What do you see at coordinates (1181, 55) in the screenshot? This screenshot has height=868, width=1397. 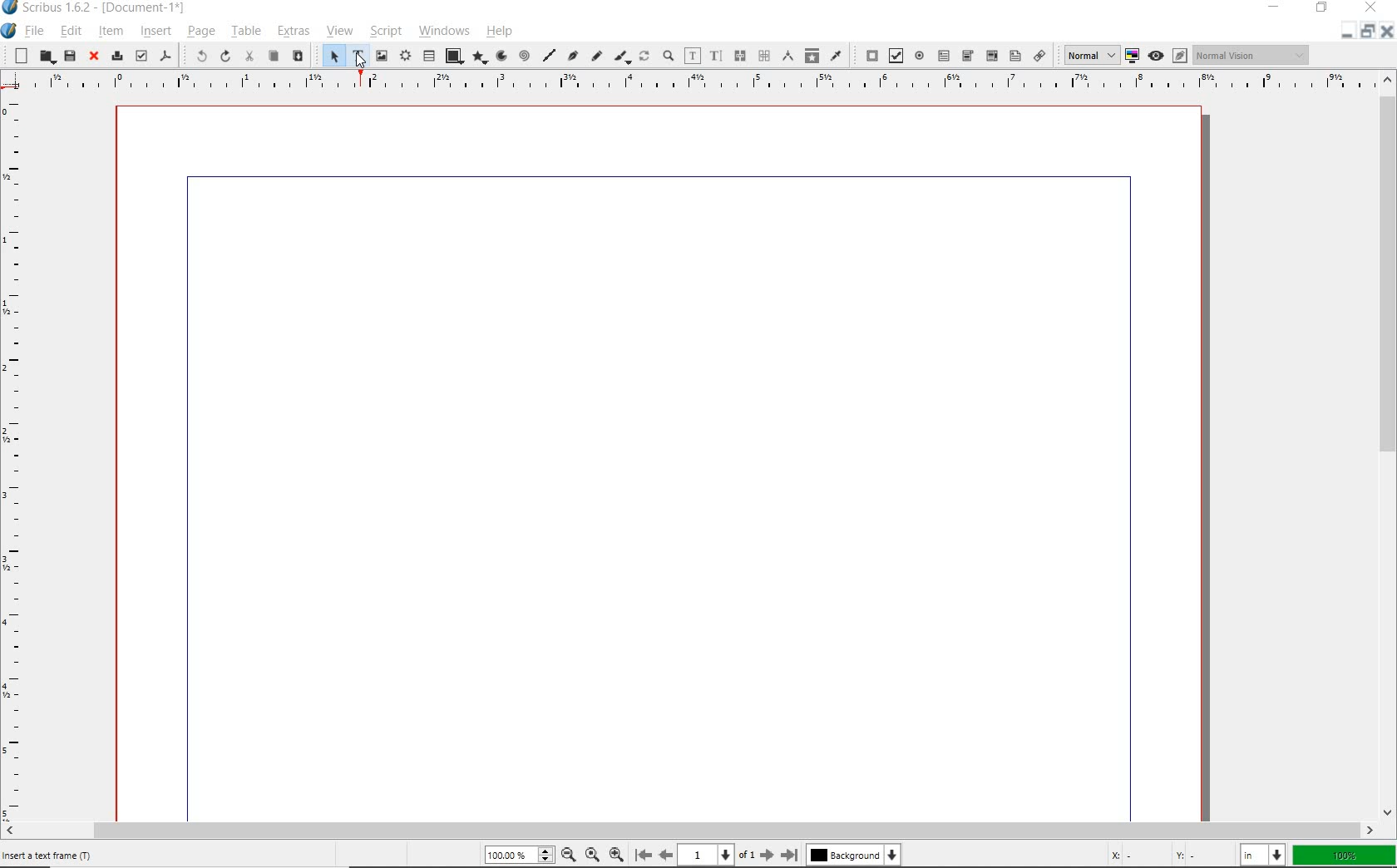 I see `Edit in preview mode` at bounding box center [1181, 55].